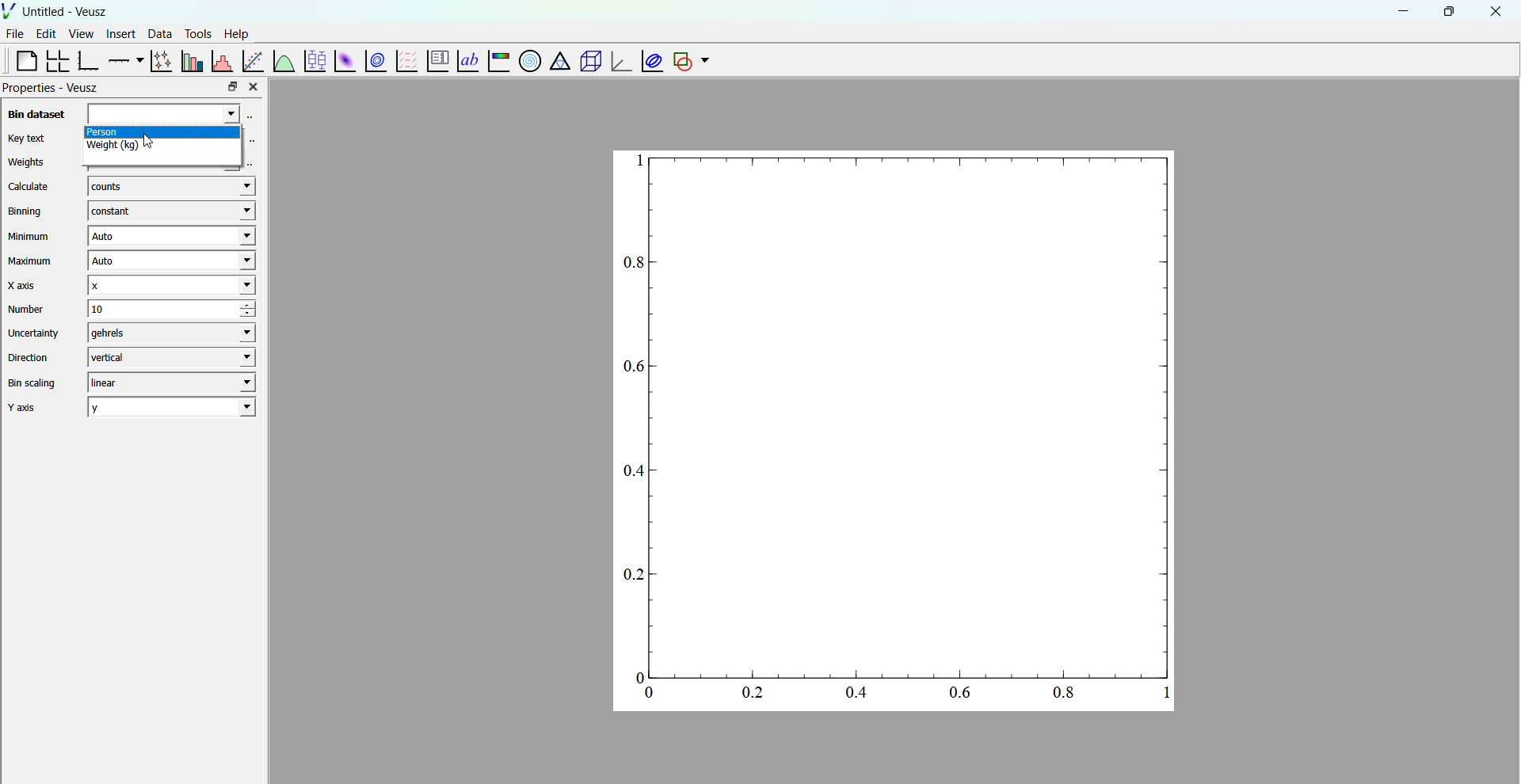 The image size is (1521, 784). I want to click on Person, so click(172, 133).